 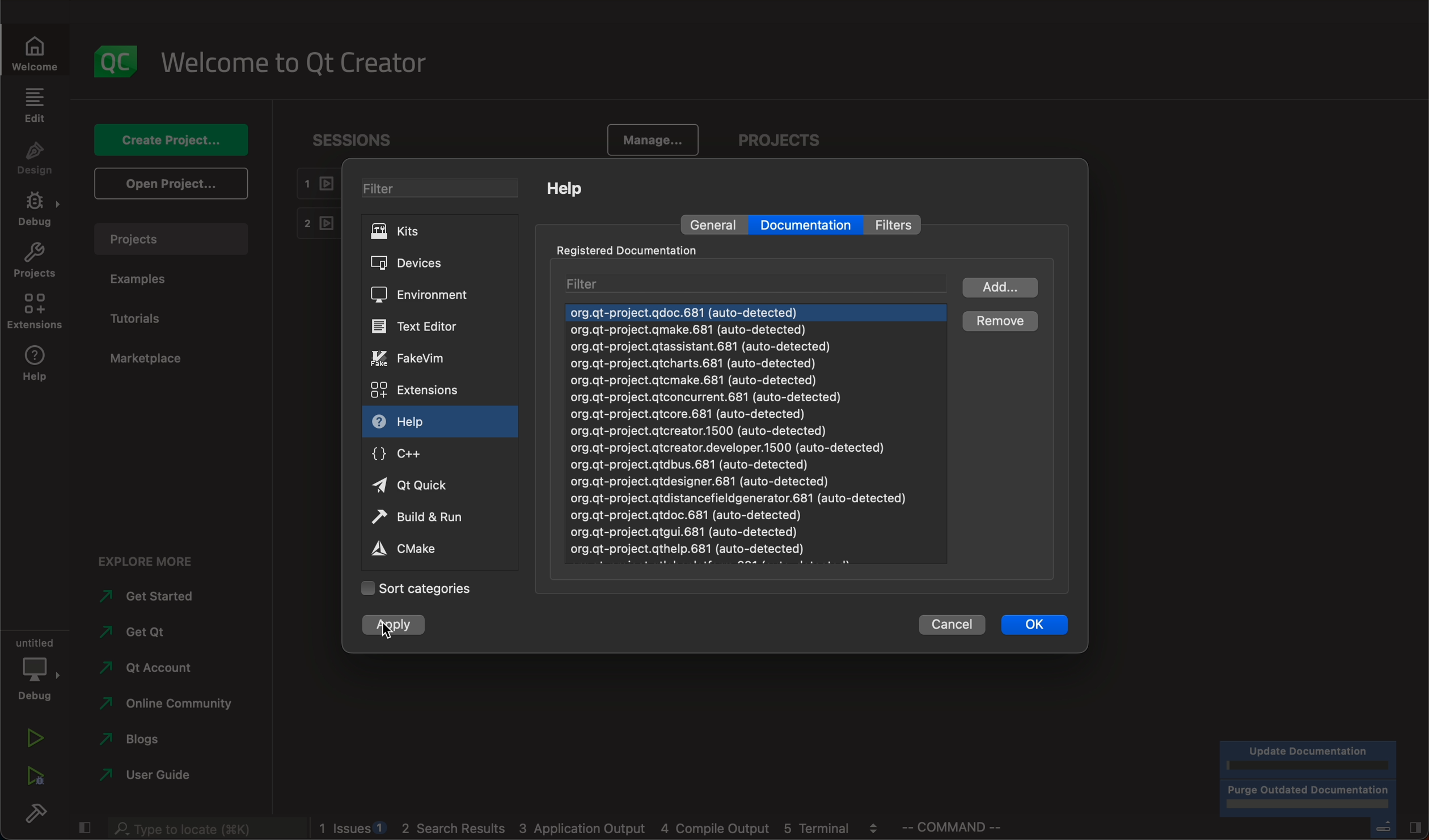 I want to click on projects, so click(x=171, y=242).